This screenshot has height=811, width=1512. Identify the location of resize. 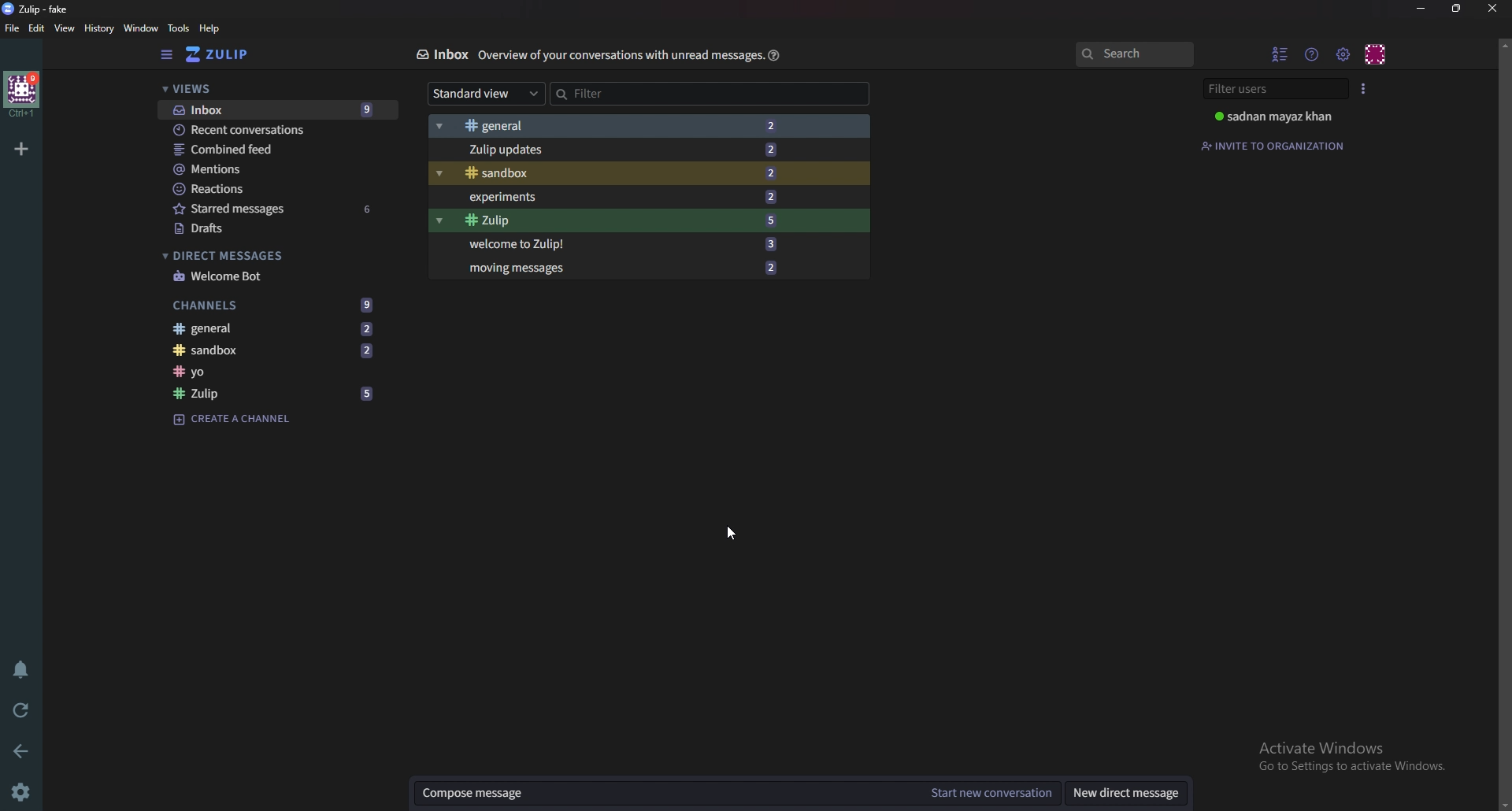
(1458, 9).